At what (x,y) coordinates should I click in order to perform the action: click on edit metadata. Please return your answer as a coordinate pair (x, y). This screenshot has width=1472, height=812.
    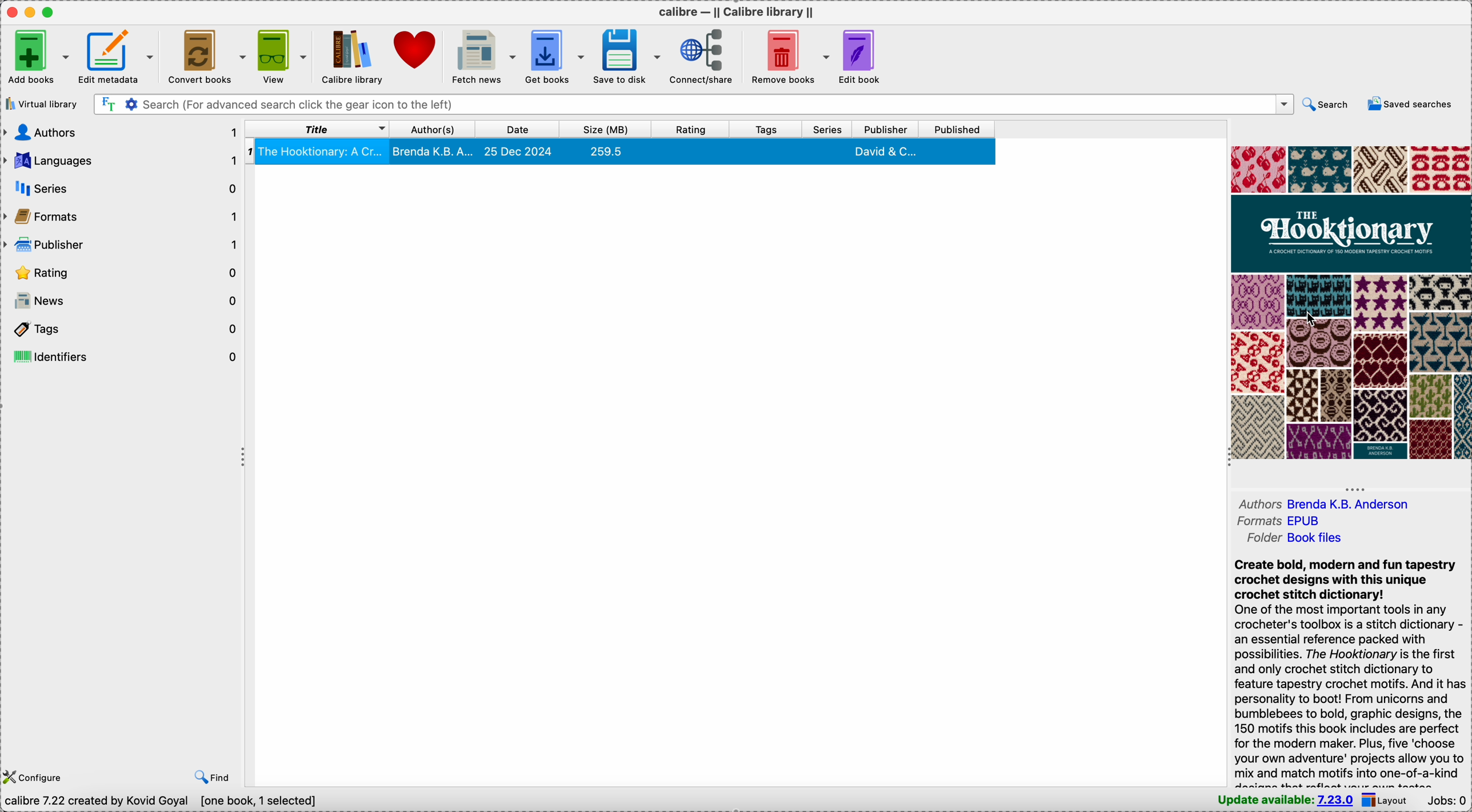
    Looking at the image, I should click on (114, 54).